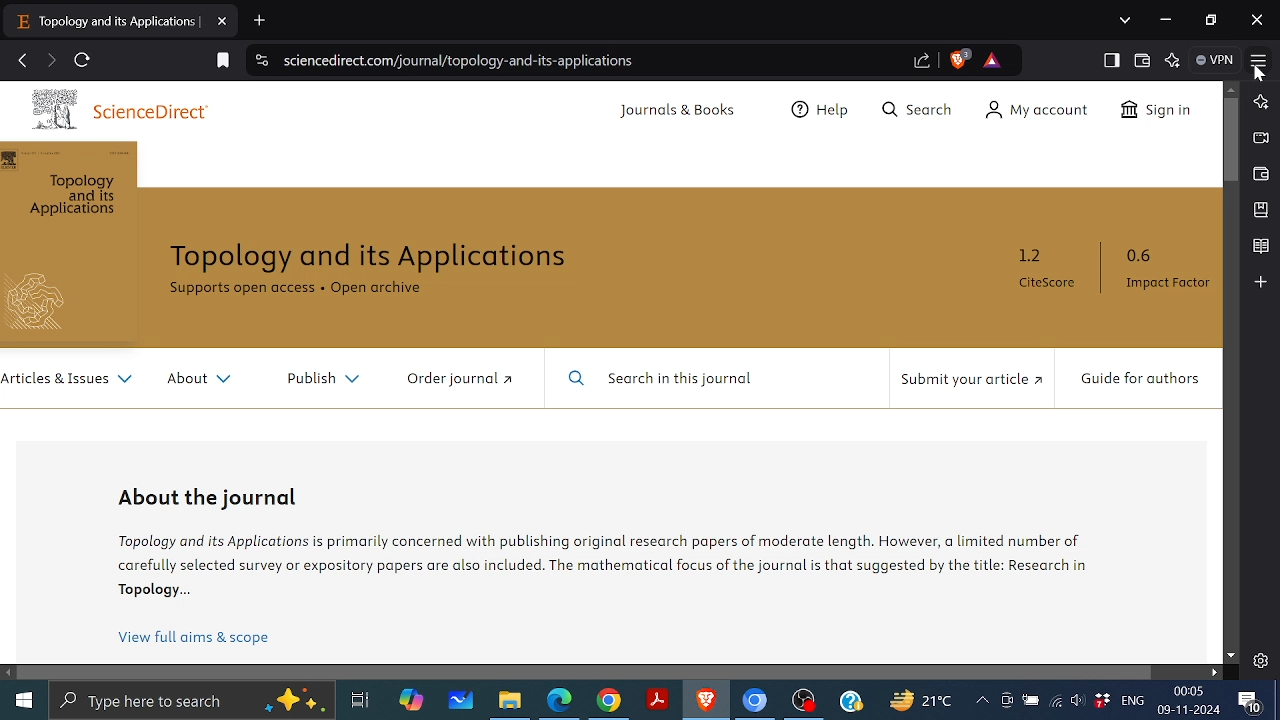  Describe the element at coordinates (409, 697) in the screenshot. I see `Copilot` at that location.